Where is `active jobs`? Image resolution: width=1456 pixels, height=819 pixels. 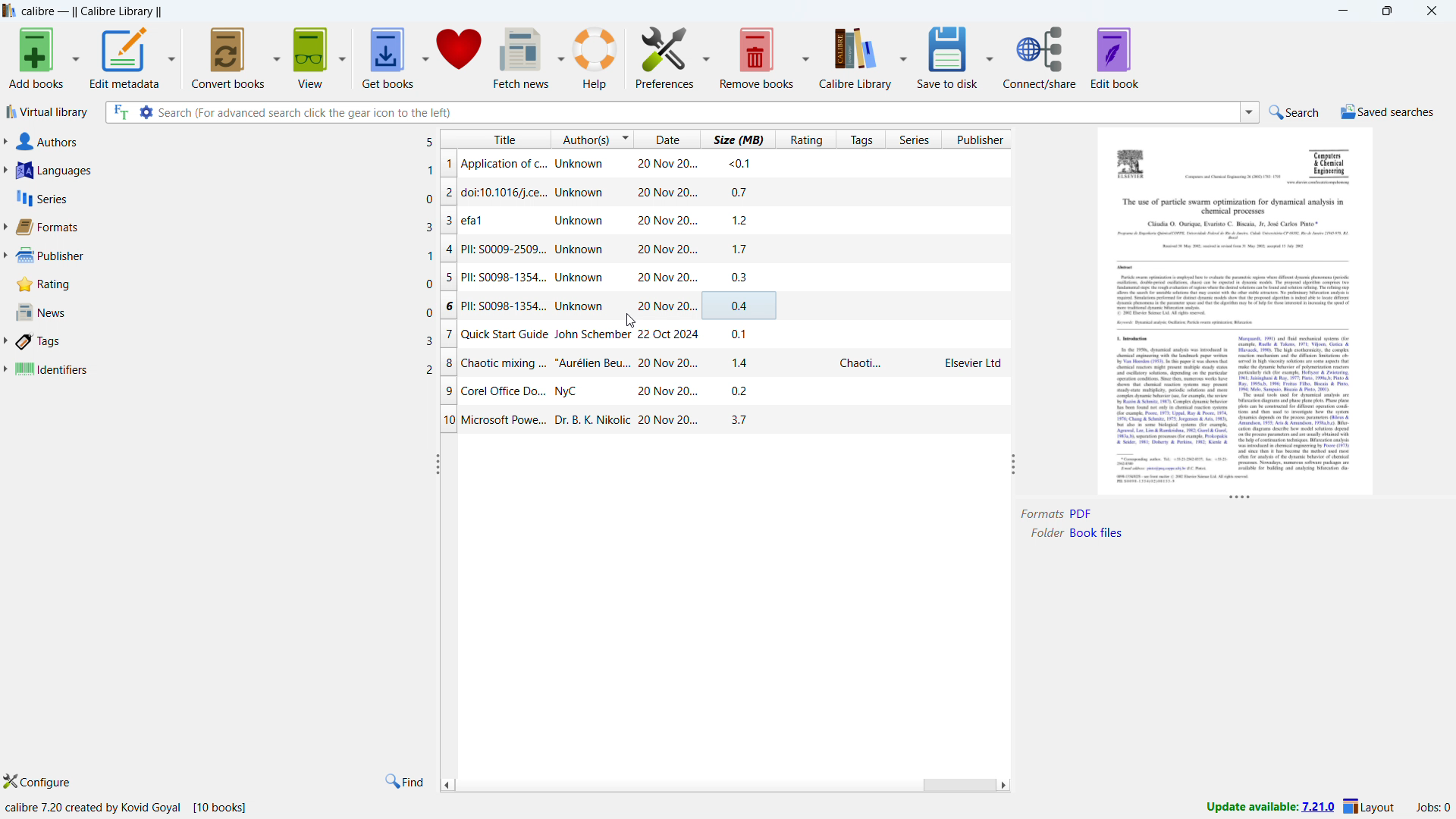 active jobs is located at coordinates (1433, 808).